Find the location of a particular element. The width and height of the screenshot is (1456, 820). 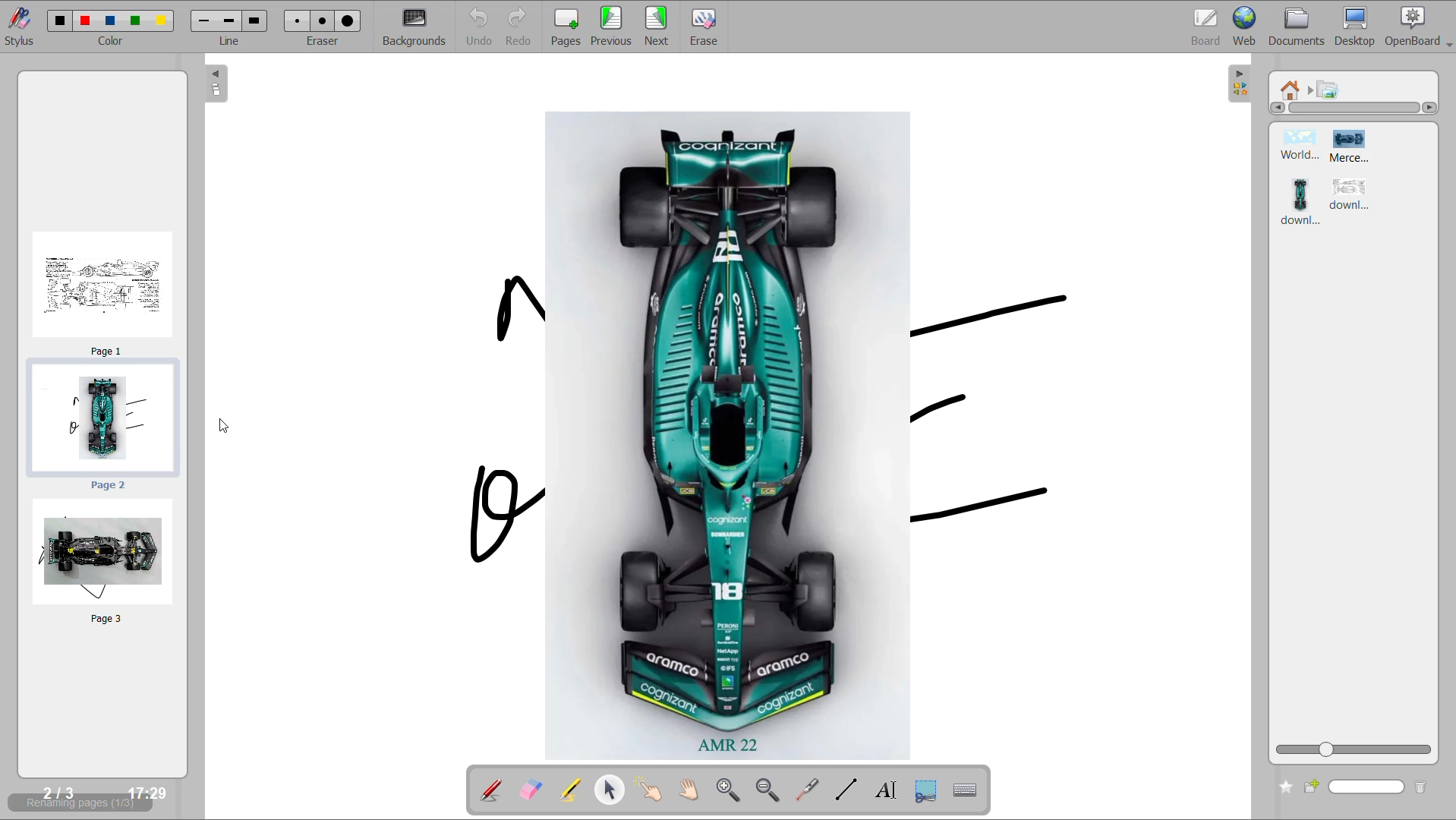

17:29 is located at coordinates (149, 794).